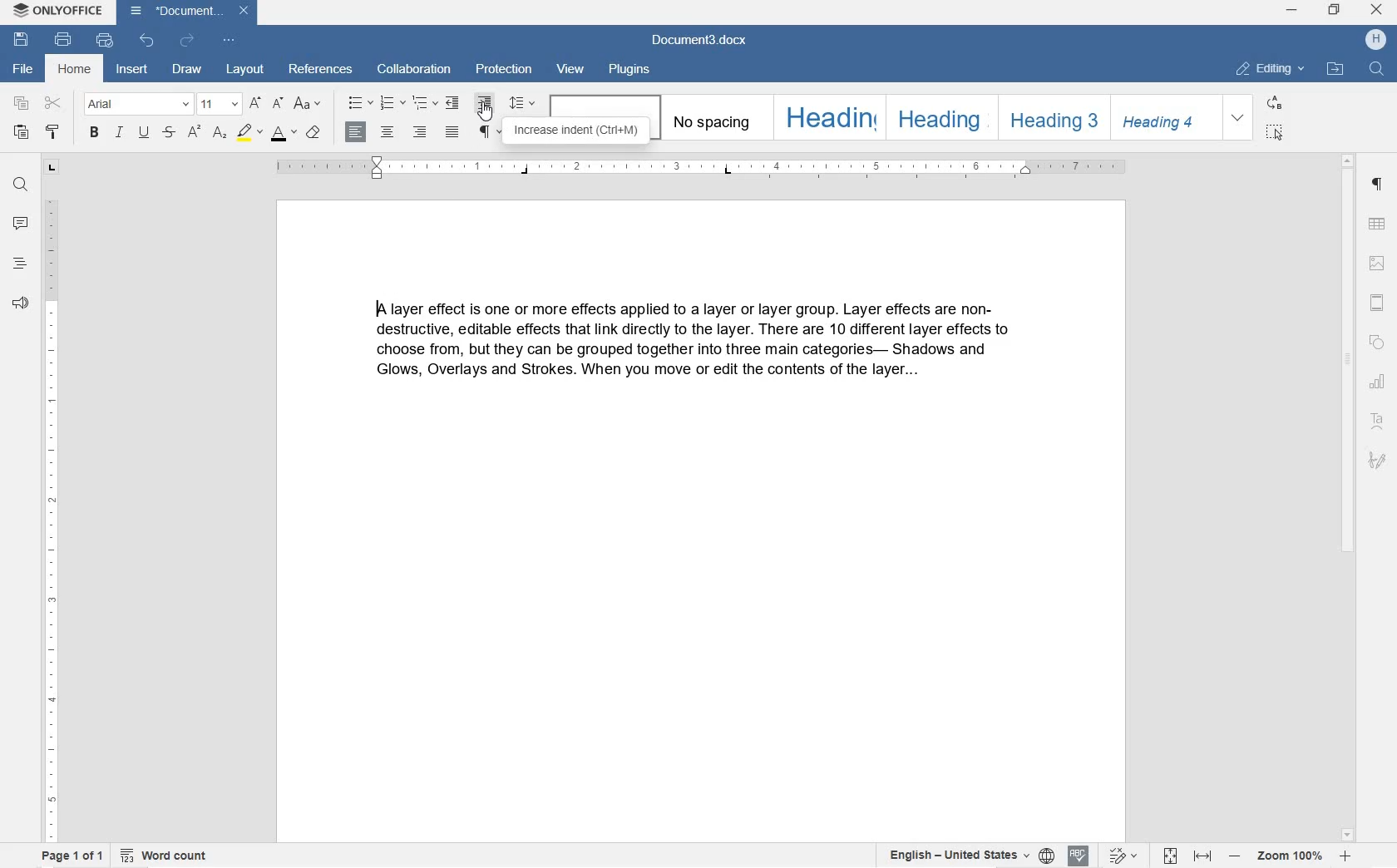 This screenshot has width=1397, height=868. I want to click on HEADING 1, so click(828, 116).